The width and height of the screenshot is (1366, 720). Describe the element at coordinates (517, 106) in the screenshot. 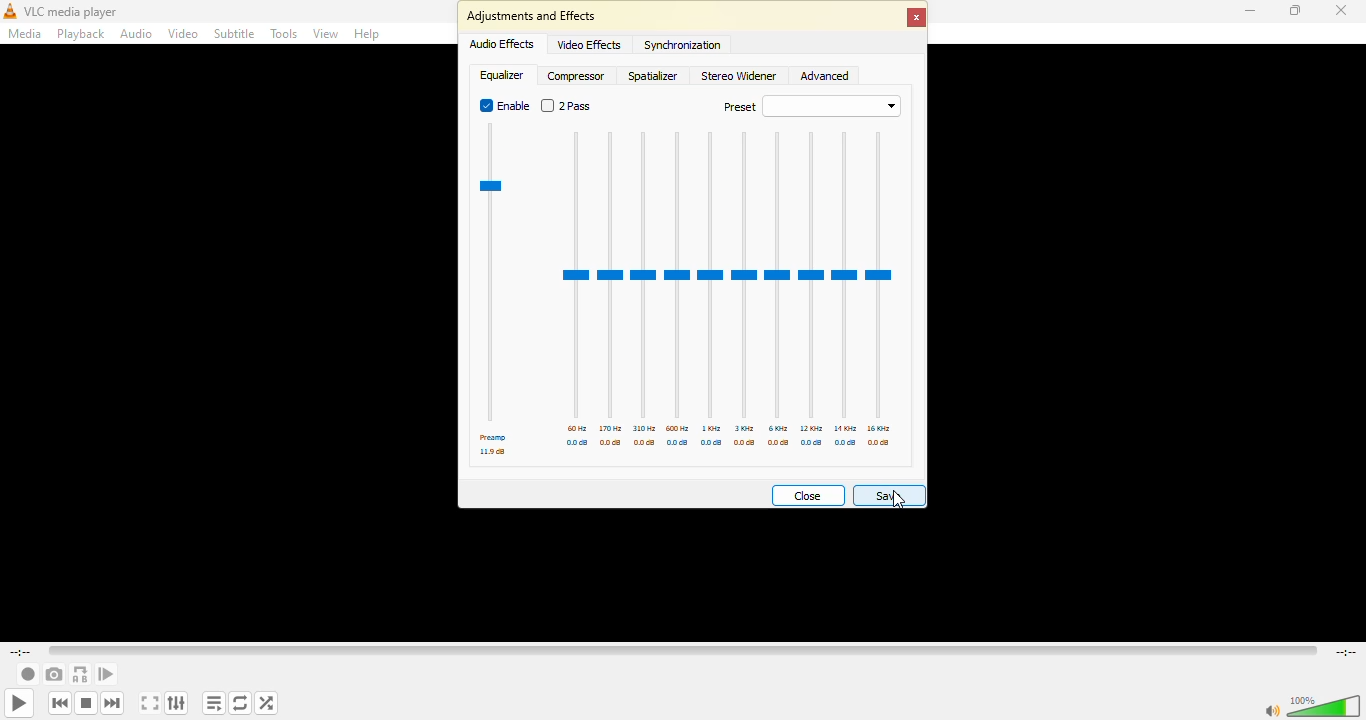

I see `enable` at that location.